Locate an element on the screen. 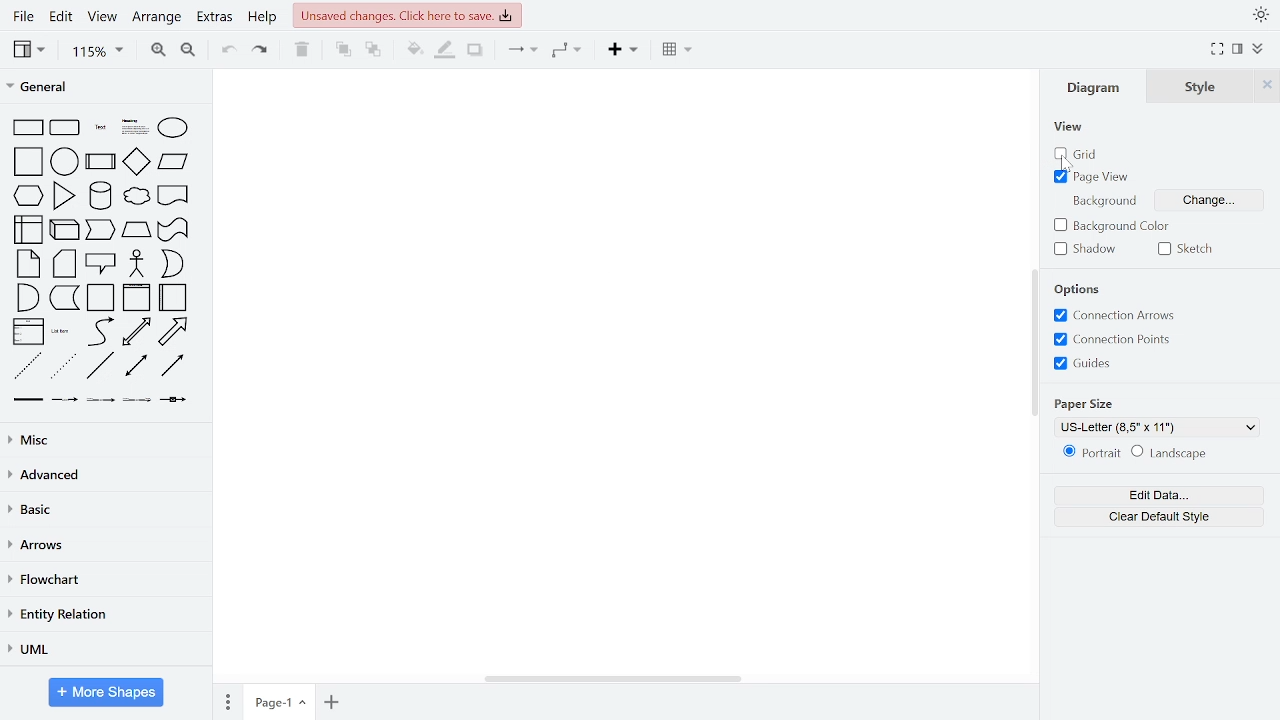  clear default style is located at coordinates (1158, 516).